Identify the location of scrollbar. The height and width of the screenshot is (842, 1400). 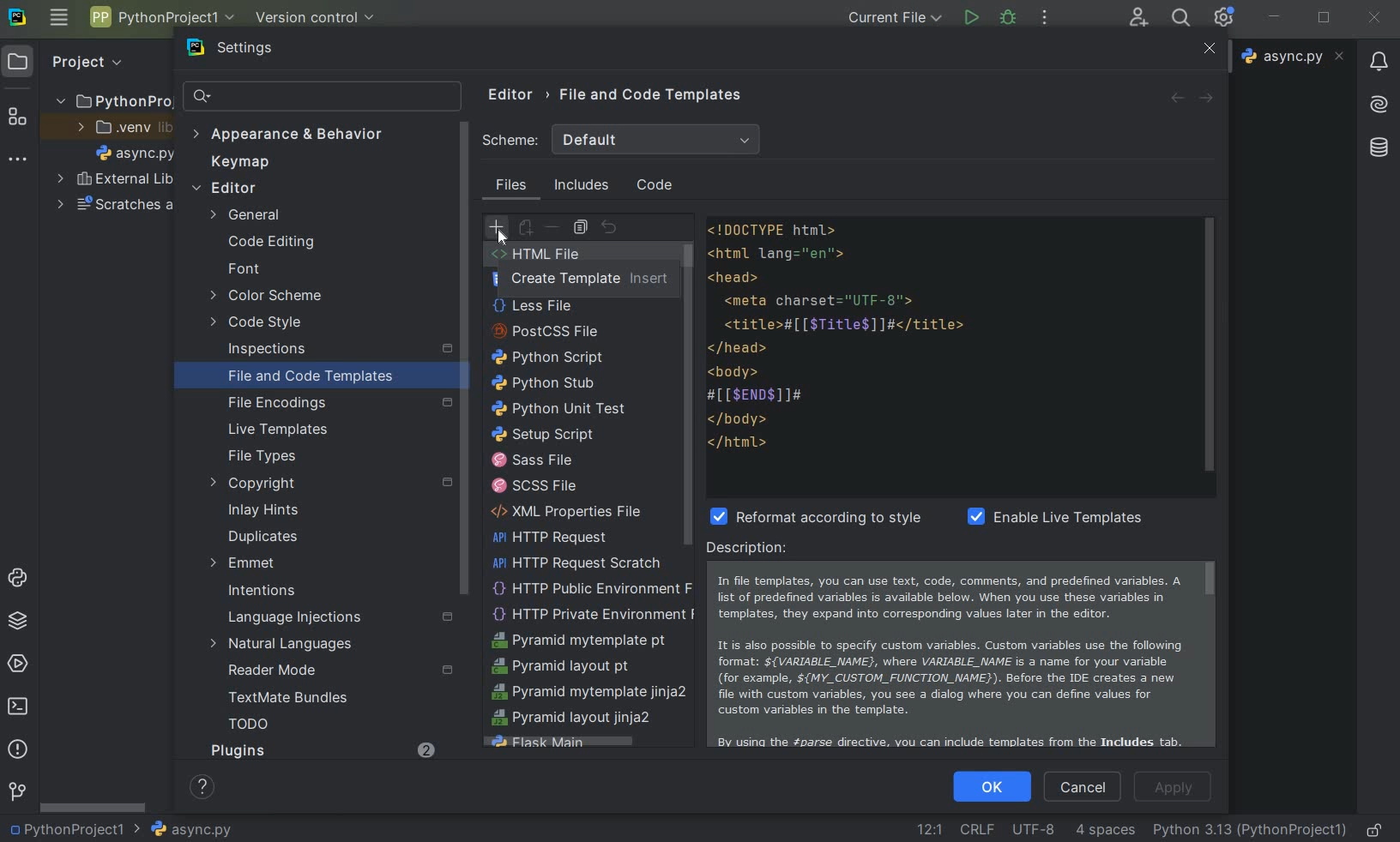
(466, 409).